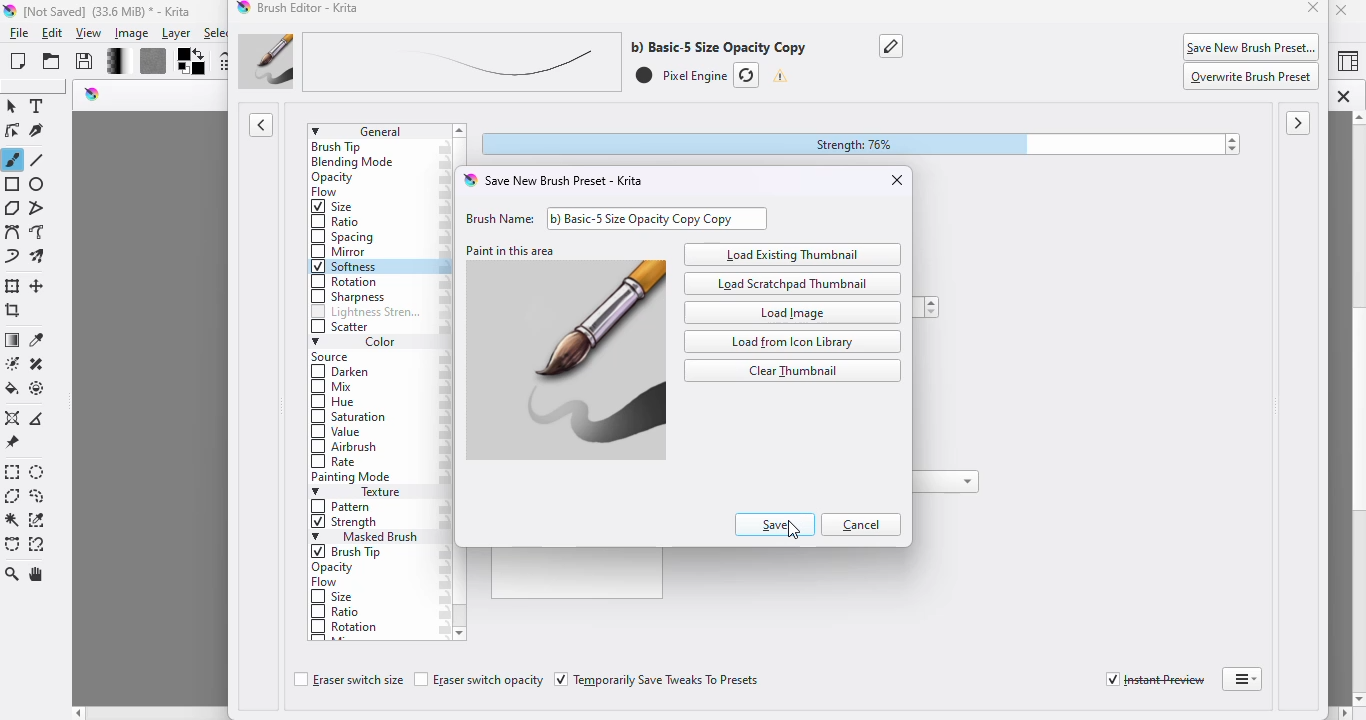 The image size is (1366, 720). I want to click on image, so click(132, 33).